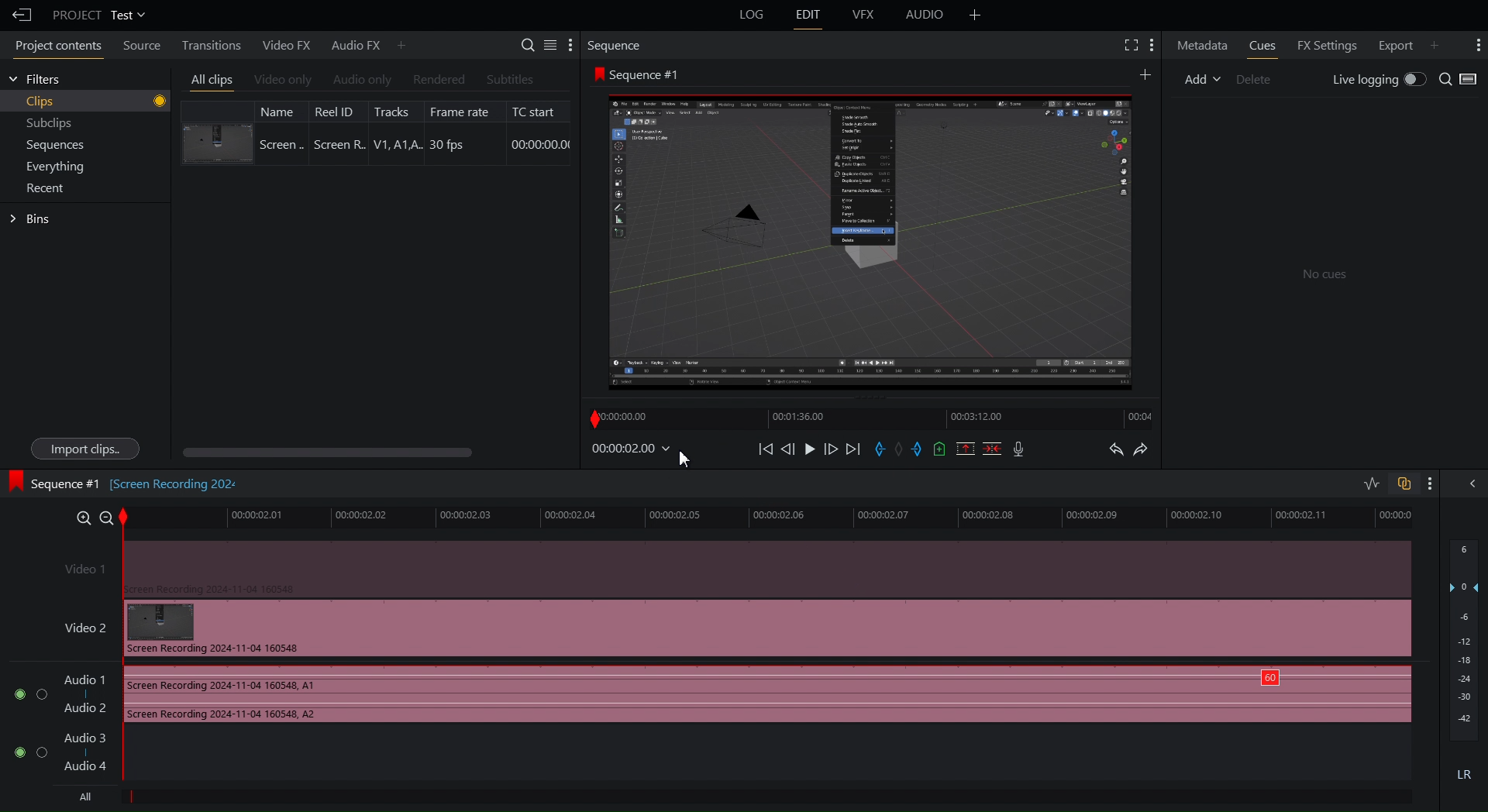  I want to click on Export, so click(1392, 43).